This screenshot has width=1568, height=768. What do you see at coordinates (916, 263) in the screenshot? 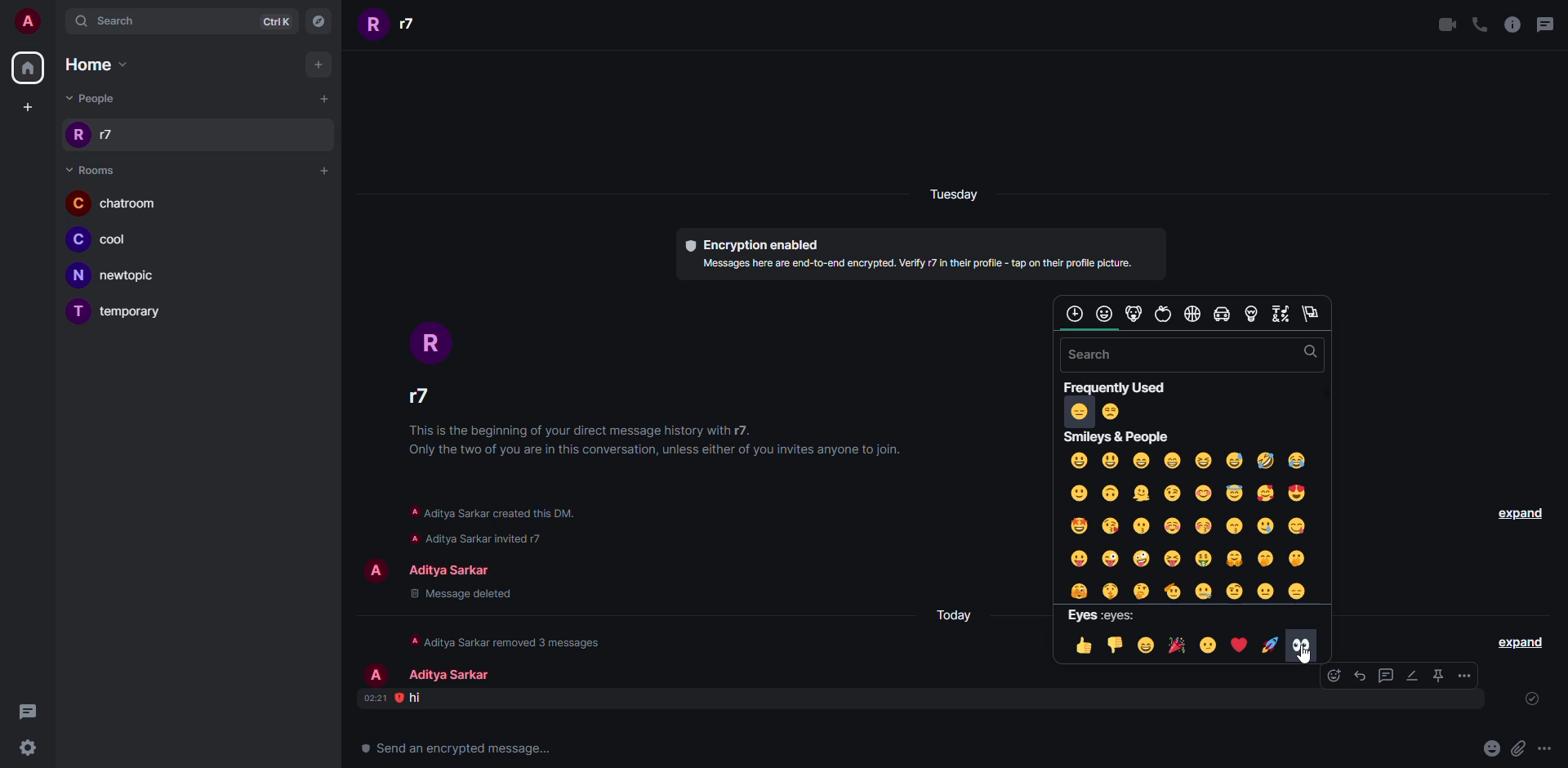
I see `info` at bounding box center [916, 263].